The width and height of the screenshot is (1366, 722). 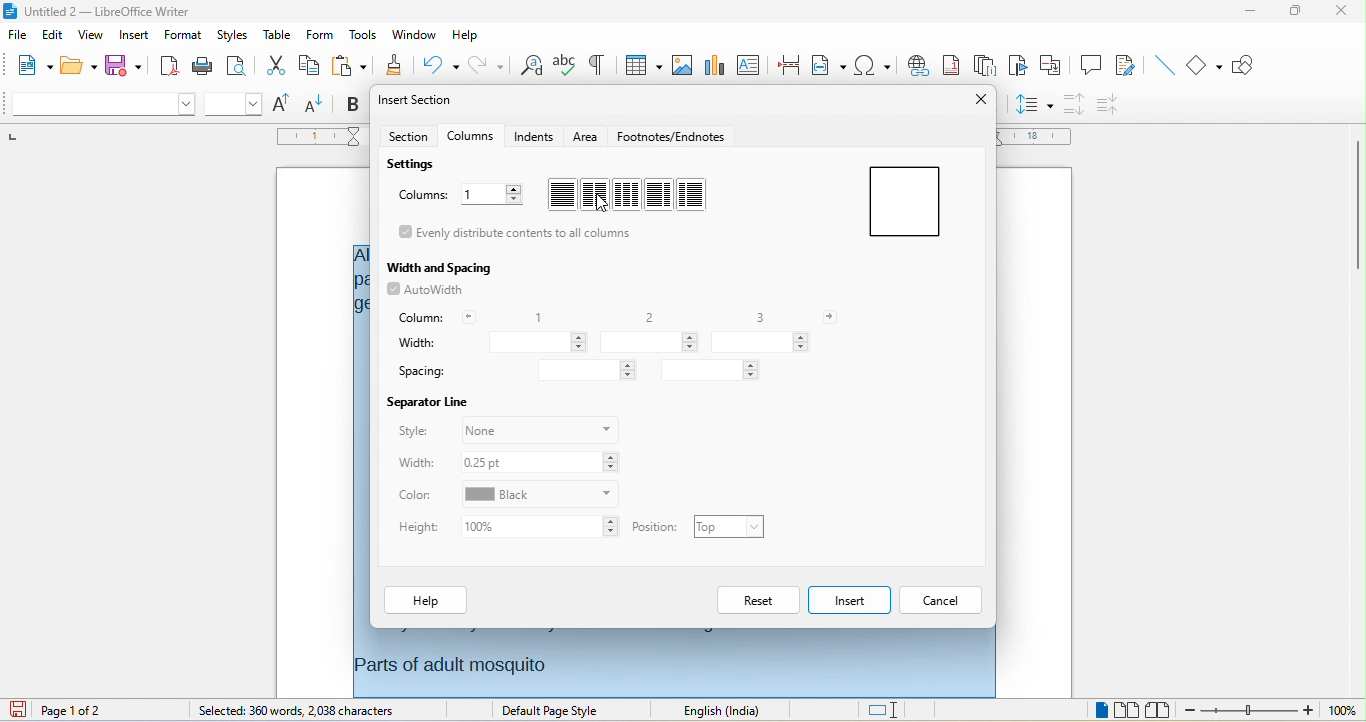 What do you see at coordinates (759, 343) in the screenshot?
I see `column 3 width` at bounding box center [759, 343].